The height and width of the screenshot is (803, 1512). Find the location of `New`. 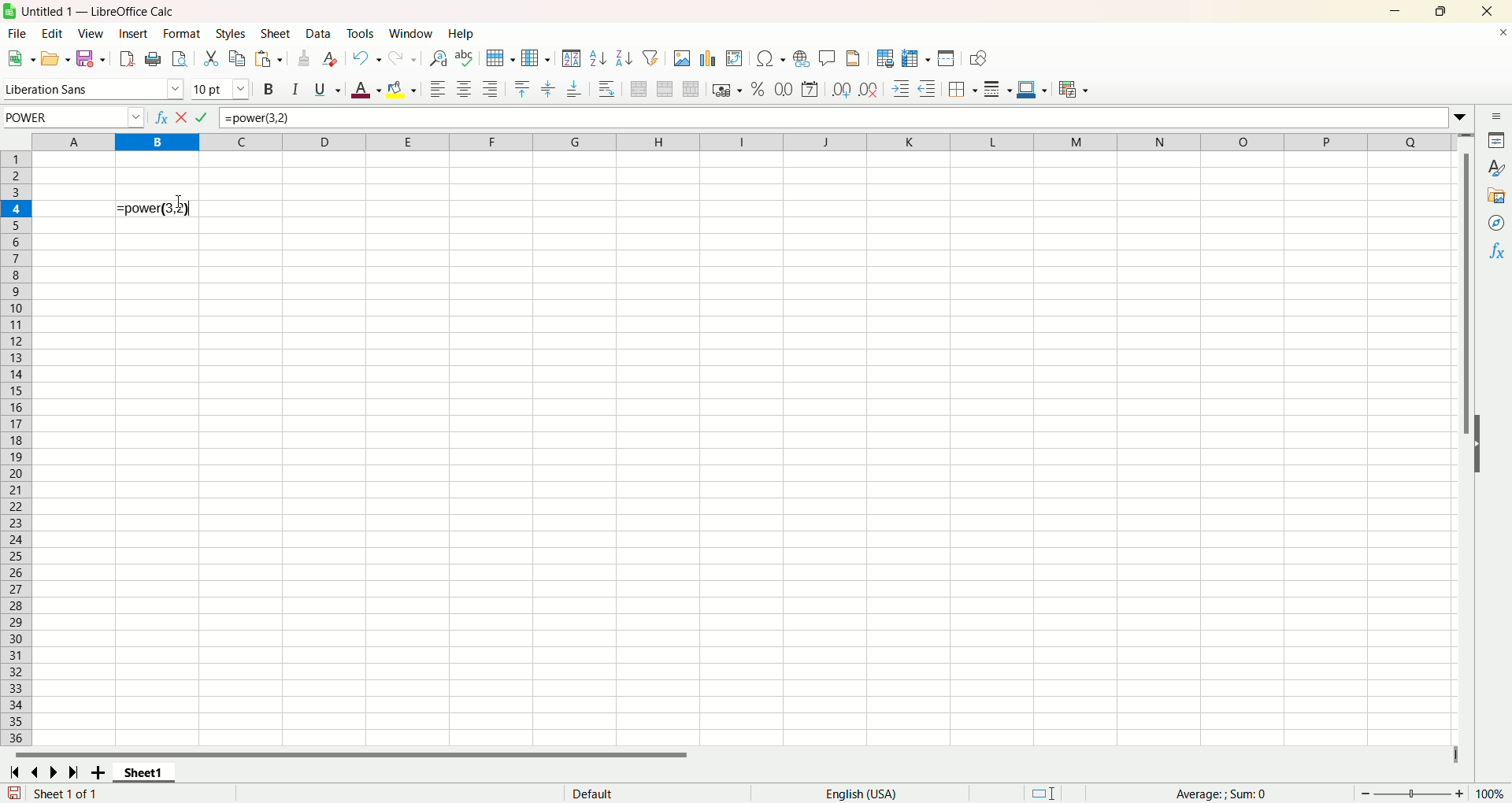

New is located at coordinates (20, 57).